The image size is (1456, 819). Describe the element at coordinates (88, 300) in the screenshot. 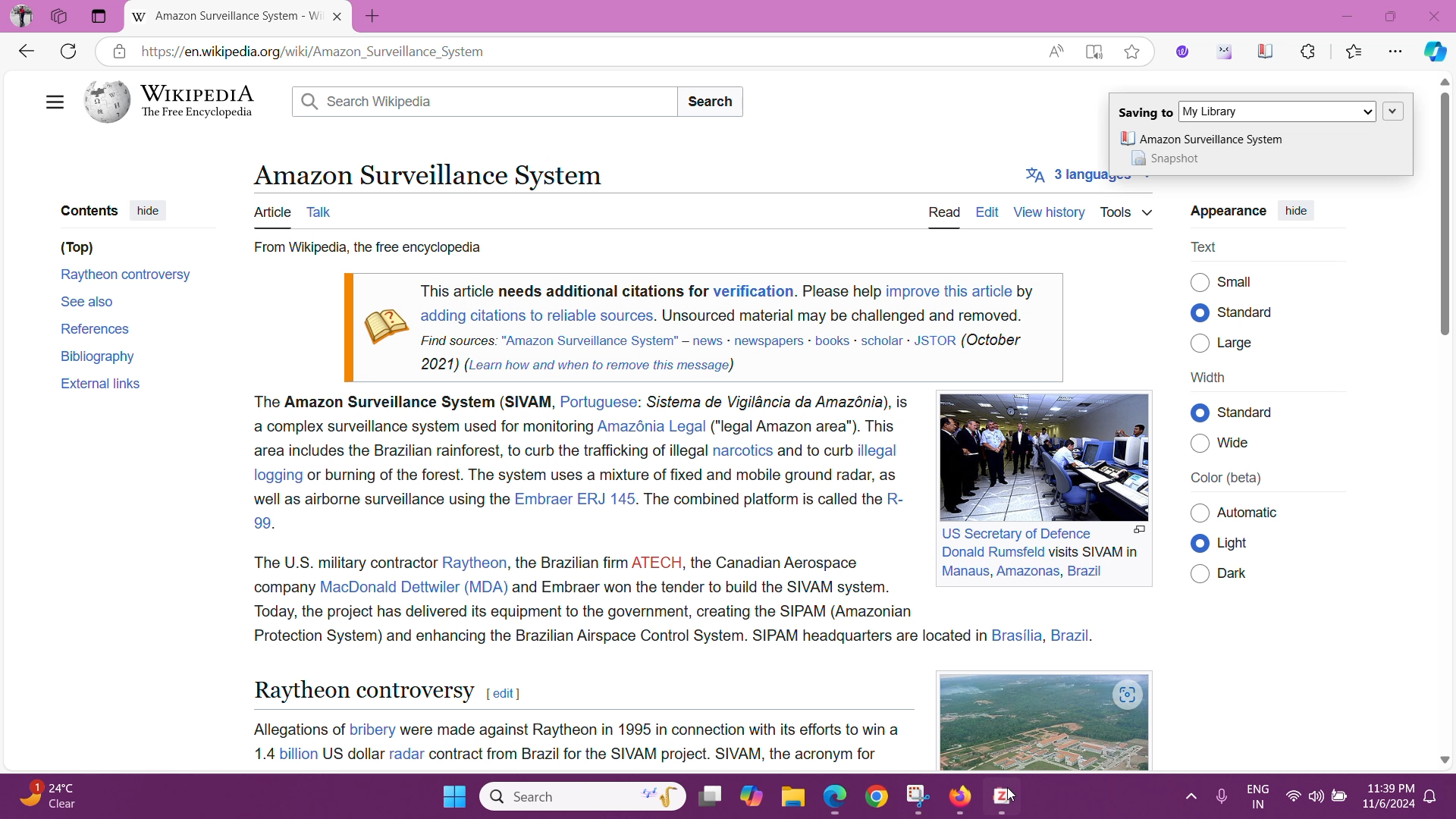

I see `See also` at that location.